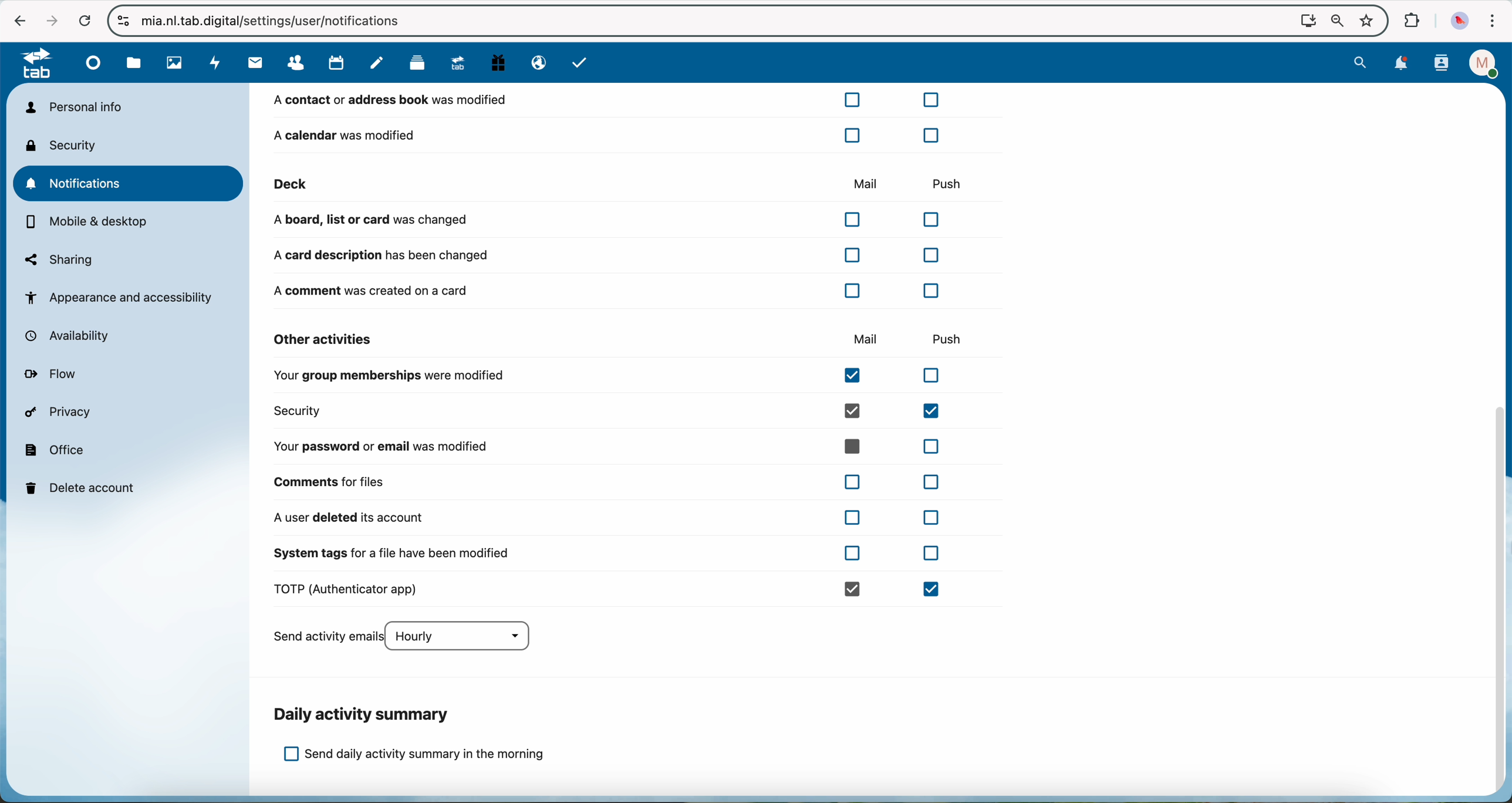 The image size is (1512, 803). I want to click on favorites, so click(1365, 18).